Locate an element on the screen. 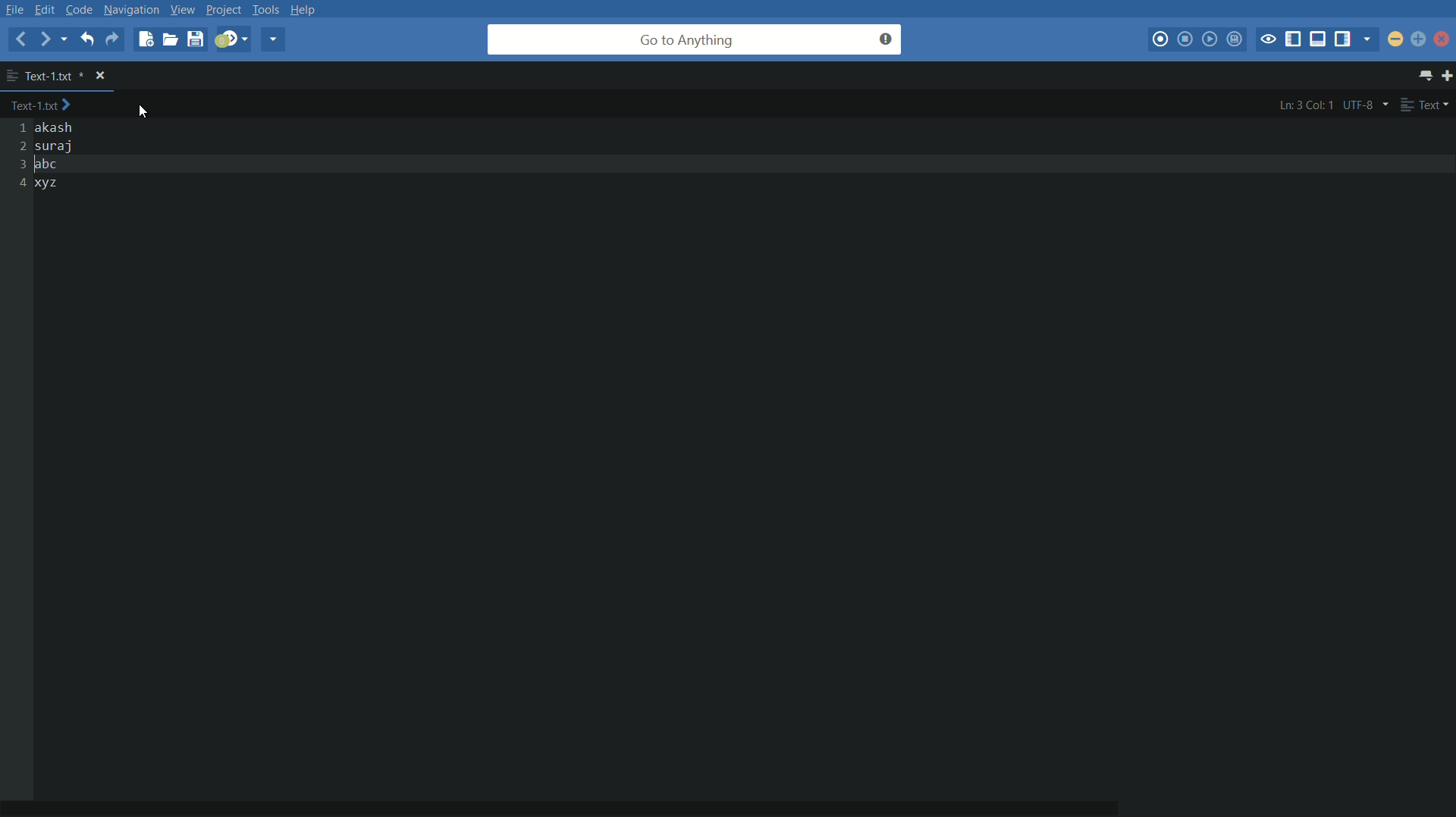 The width and height of the screenshot is (1456, 817). undo is located at coordinates (86, 39).